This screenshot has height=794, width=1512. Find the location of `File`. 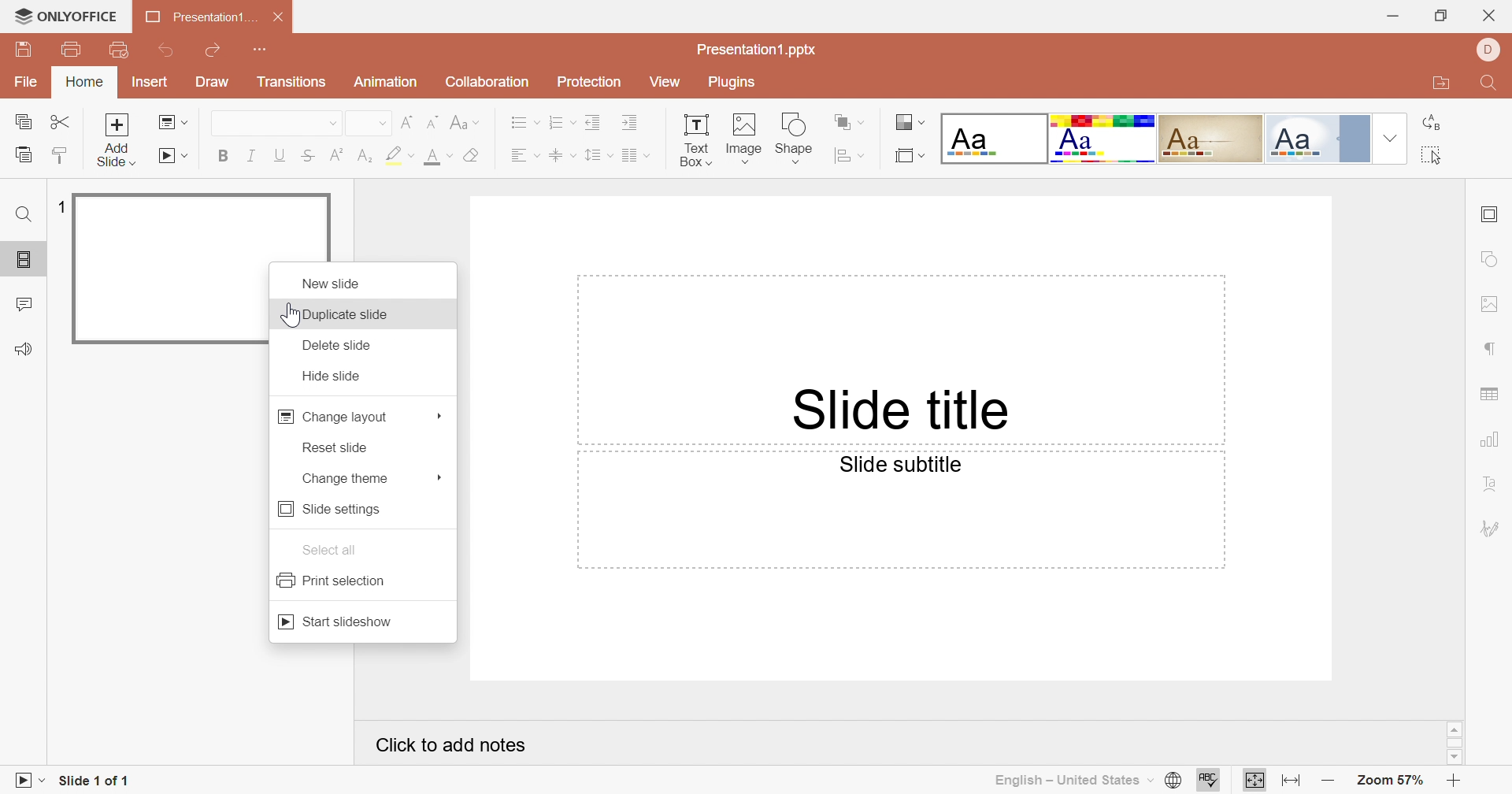

File is located at coordinates (26, 83).